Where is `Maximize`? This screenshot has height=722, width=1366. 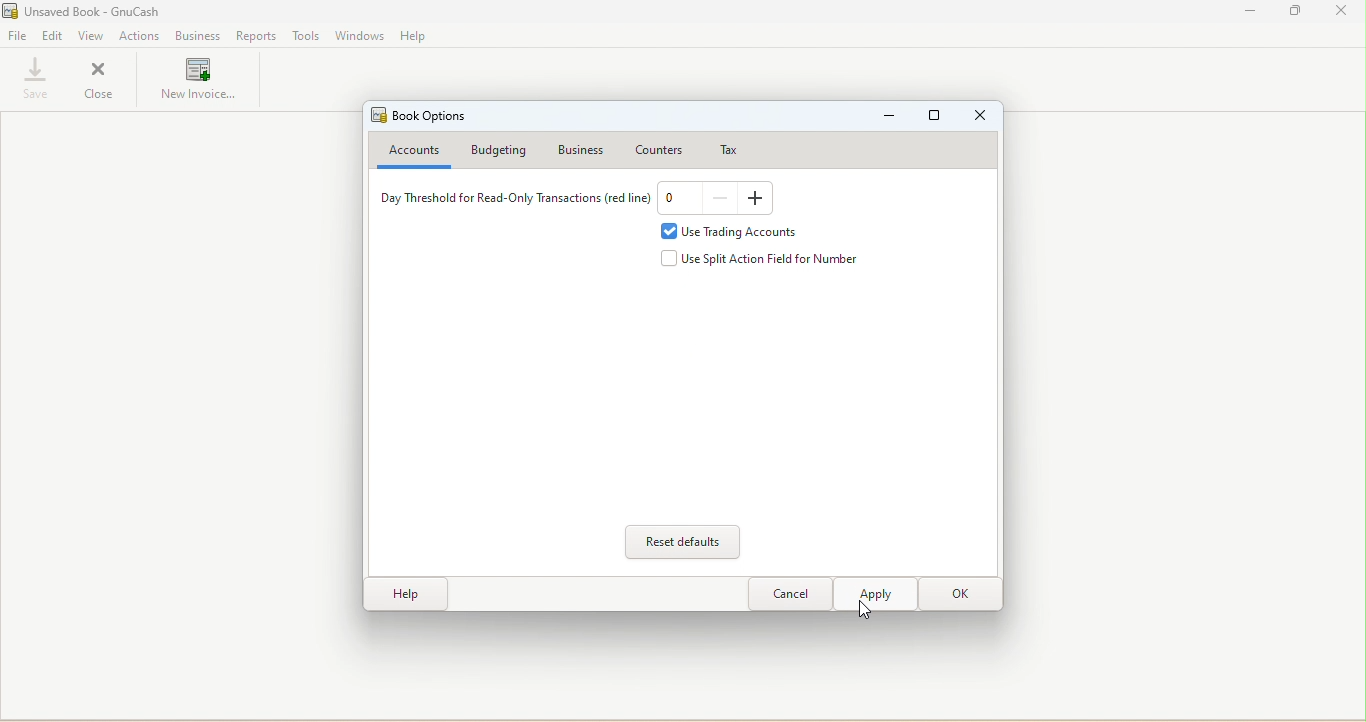
Maximize is located at coordinates (1294, 12).